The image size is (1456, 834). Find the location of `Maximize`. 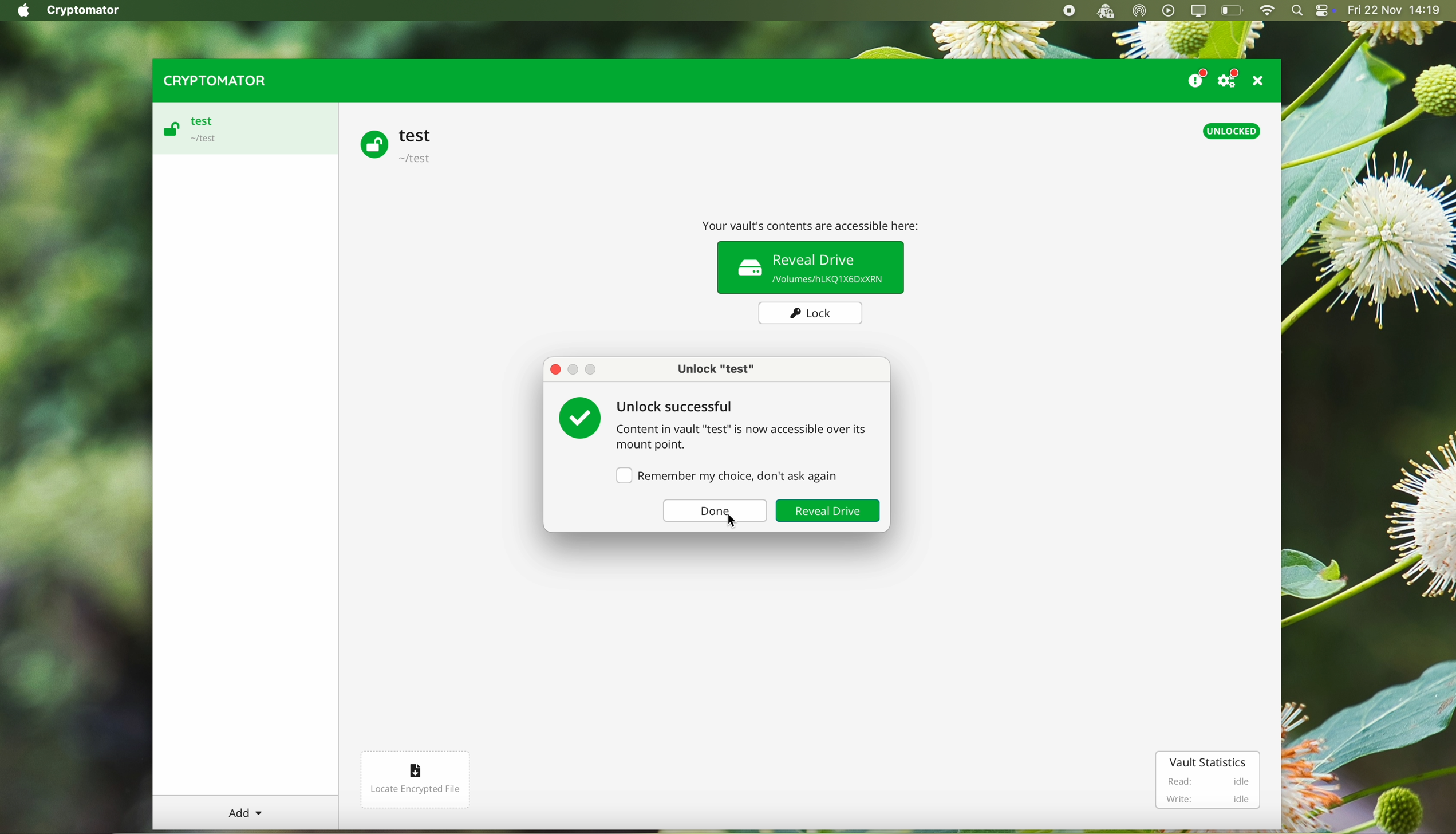

Maximize is located at coordinates (595, 371).